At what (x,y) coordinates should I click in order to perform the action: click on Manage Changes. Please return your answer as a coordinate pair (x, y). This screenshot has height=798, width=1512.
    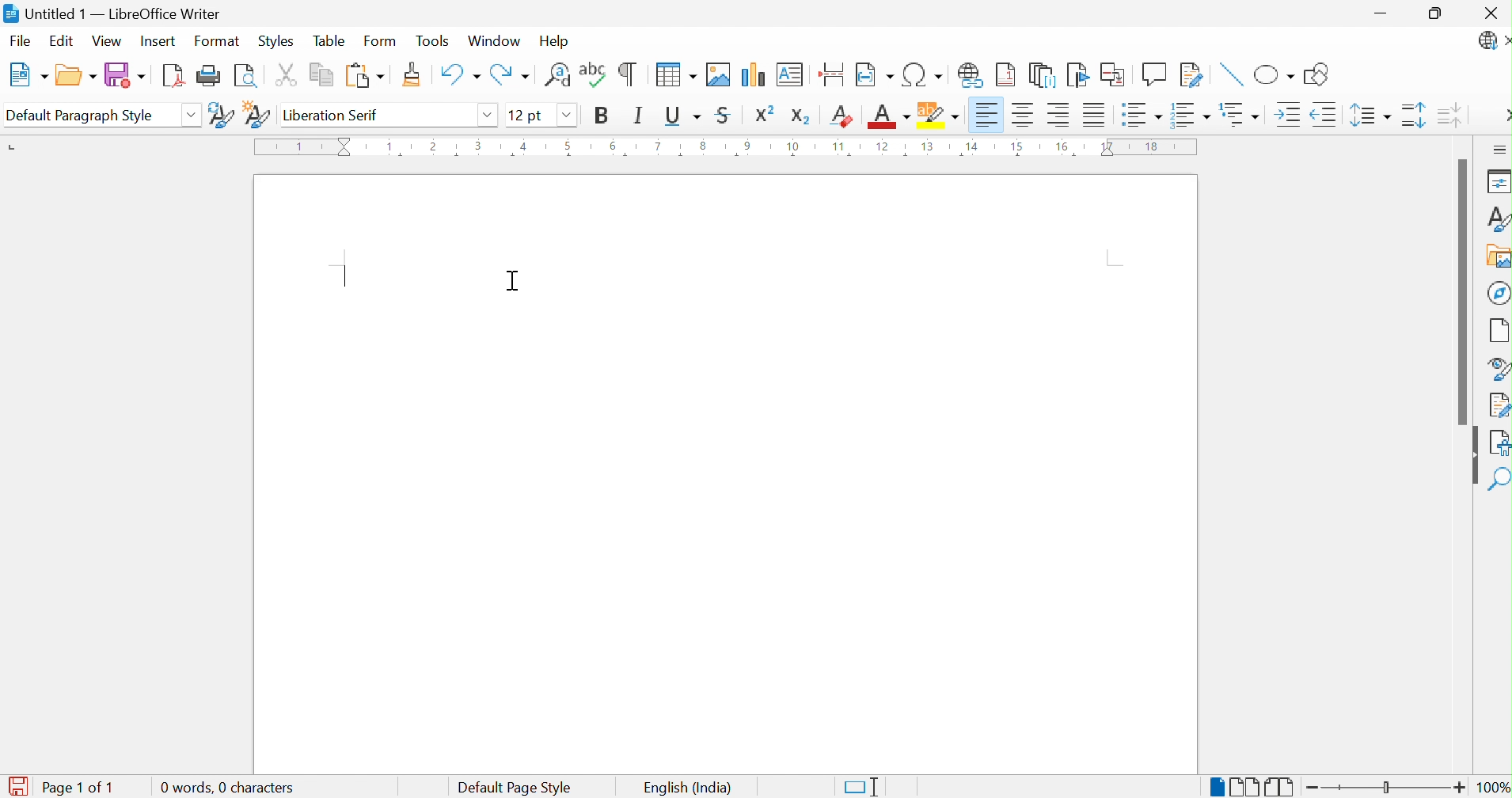
    Looking at the image, I should click on (1497, 405).